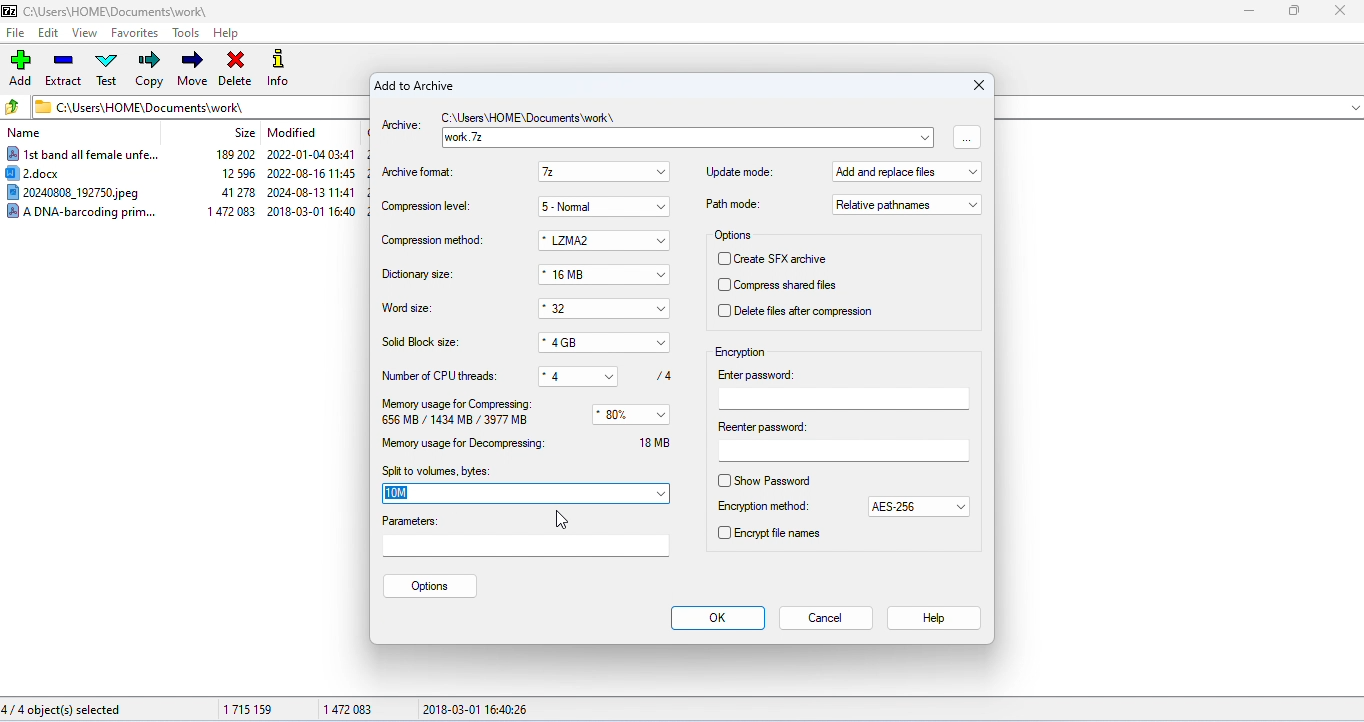 The width and height of the screenshot is (1364, 722). I want to click on add to archive, so click(414, 87).